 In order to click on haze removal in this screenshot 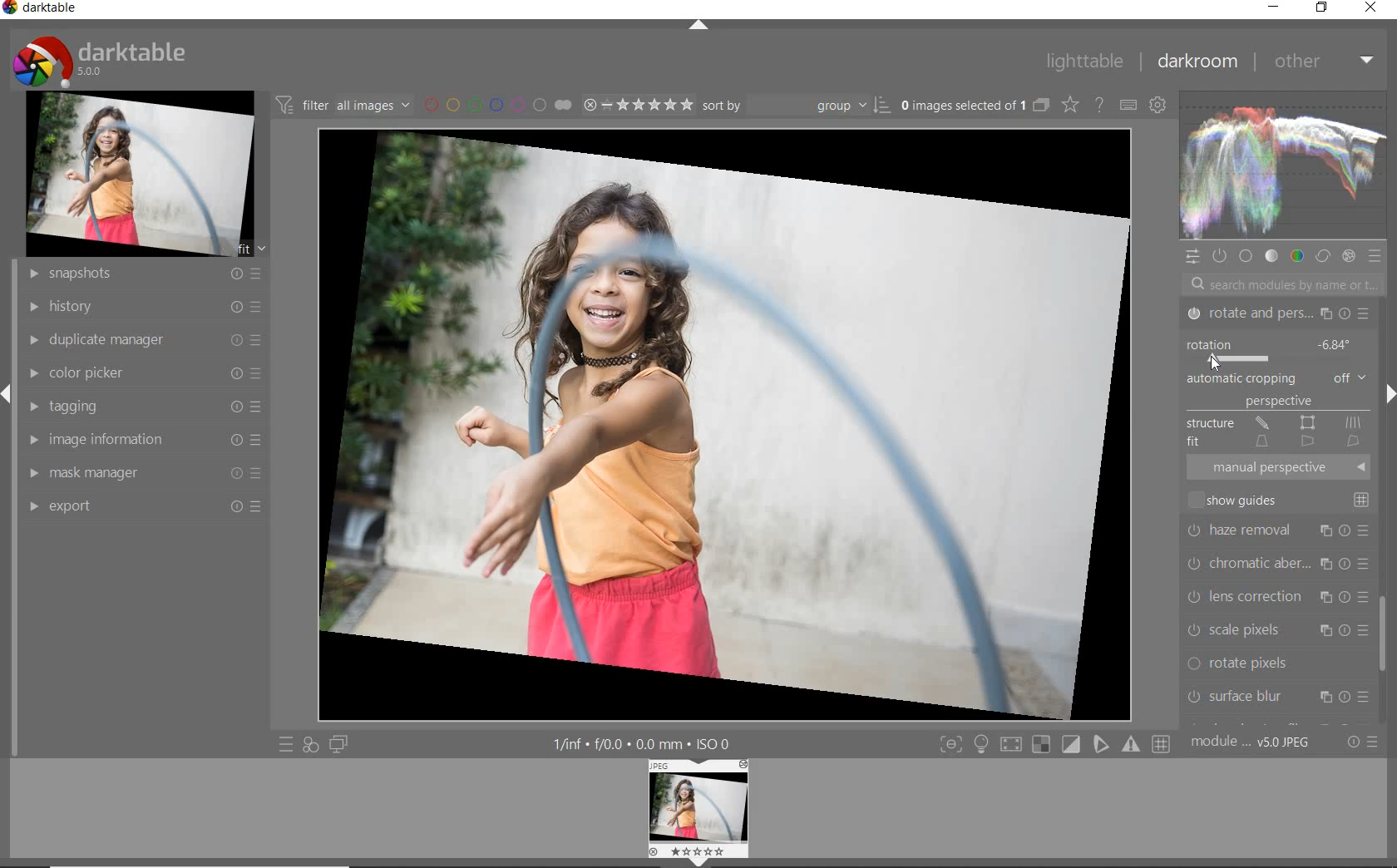, I will do `click(1279, 530)`.